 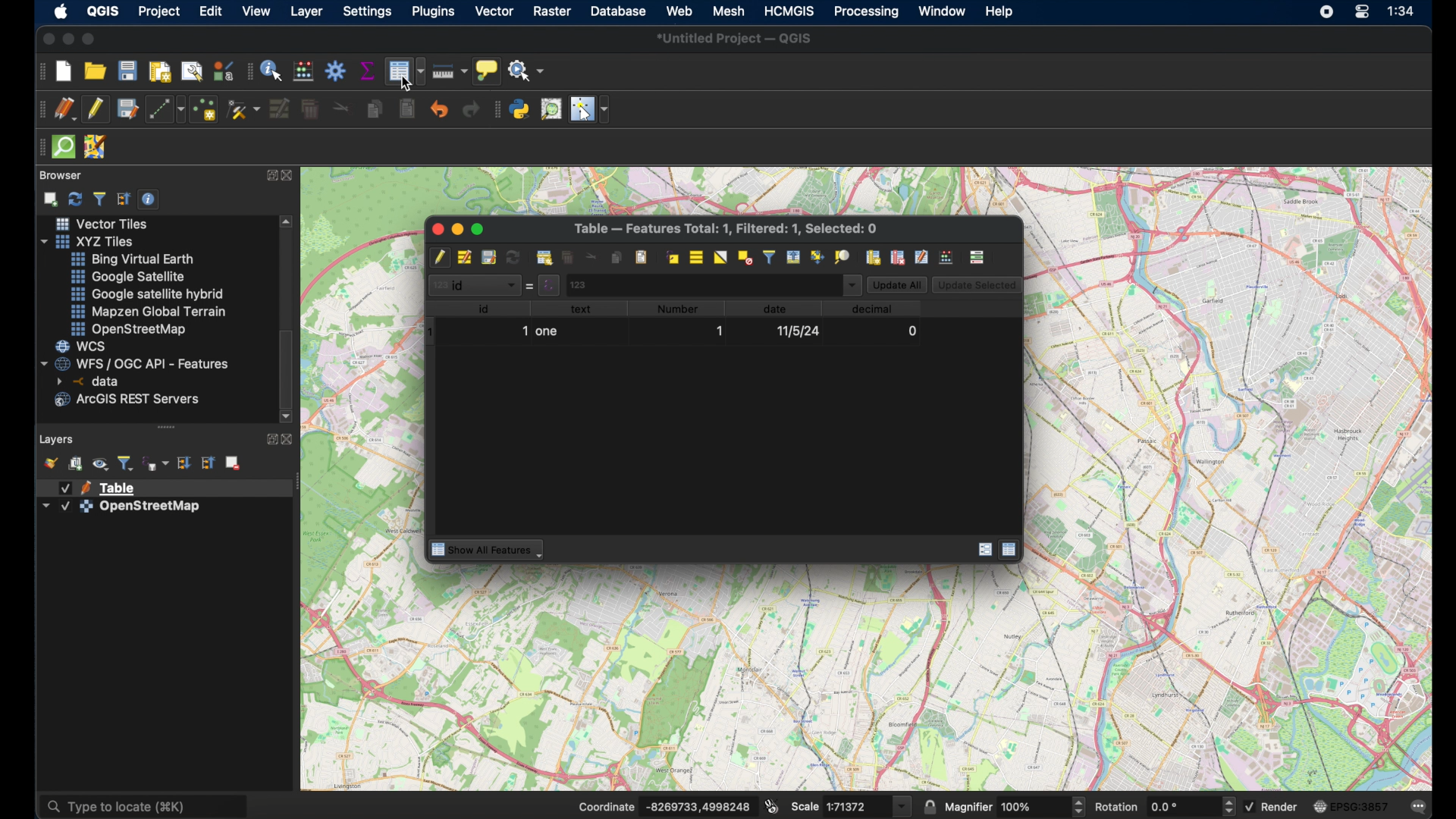 I want to click on select/filter features, so click(x=768, y=256).